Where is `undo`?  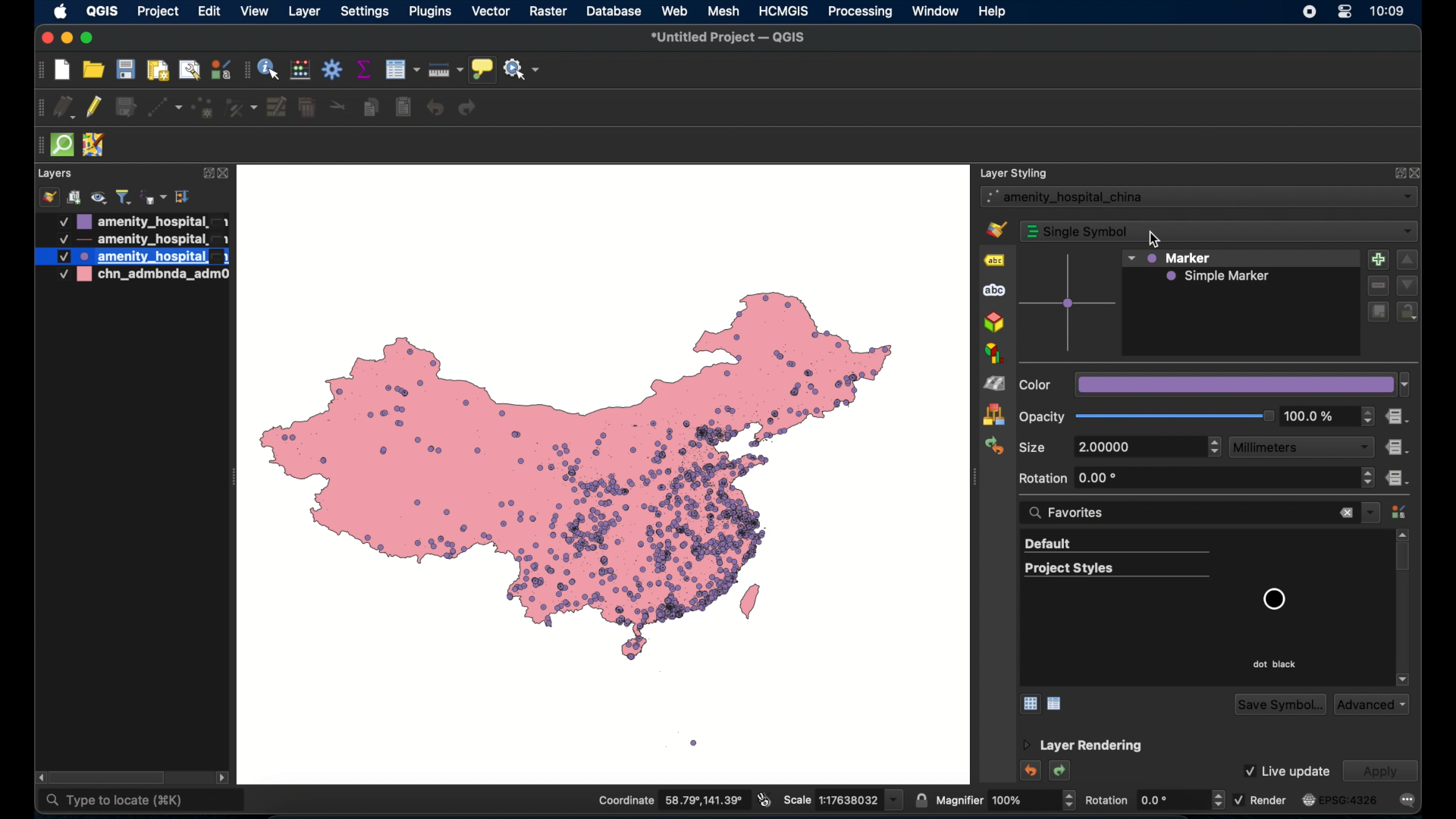
undo is located at coordinates (436, 108).